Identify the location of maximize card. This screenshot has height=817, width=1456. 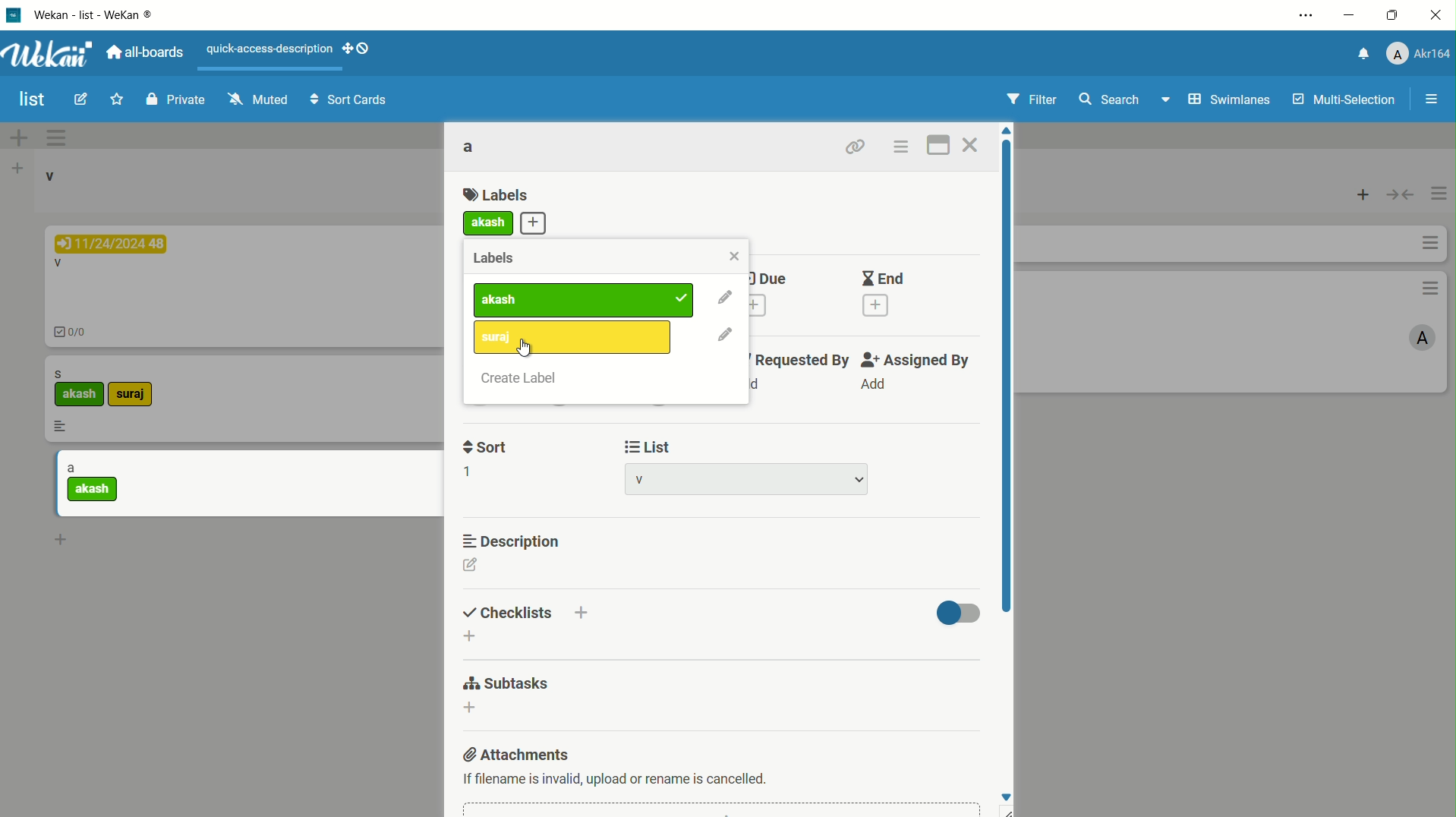
(941, 144).